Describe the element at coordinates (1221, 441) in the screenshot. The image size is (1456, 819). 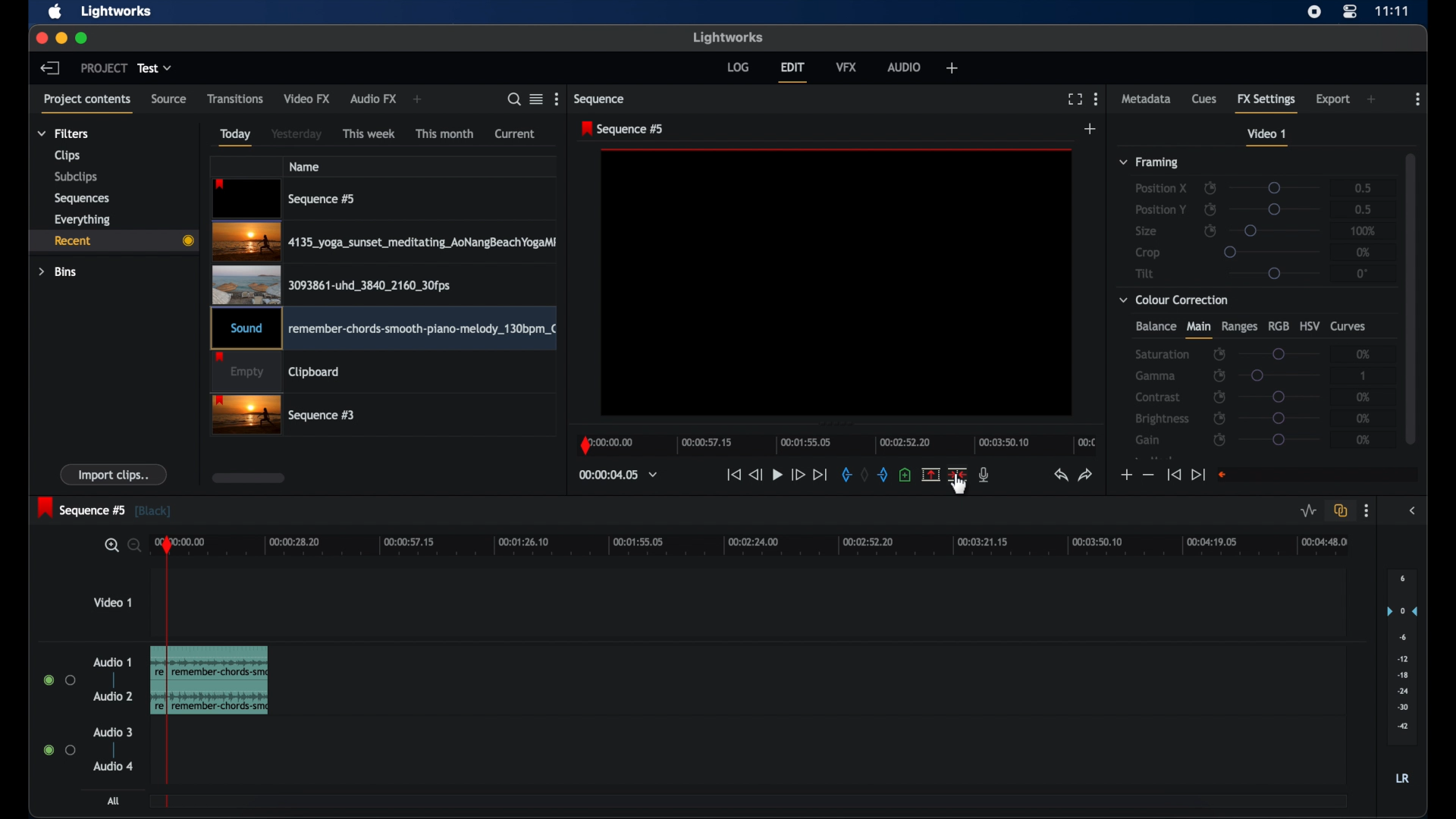
I see `enable/disable keyframes` at that location.